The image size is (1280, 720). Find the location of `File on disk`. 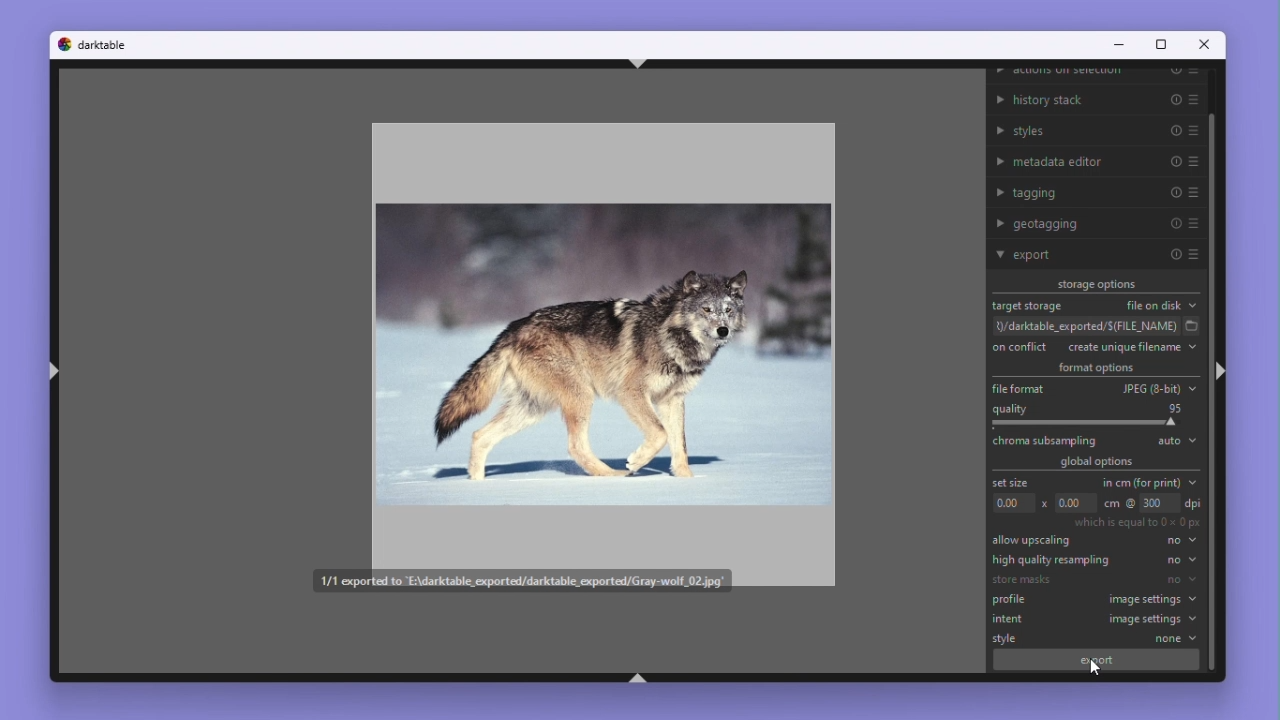

File on disk is located at coordinates (1164, 304).